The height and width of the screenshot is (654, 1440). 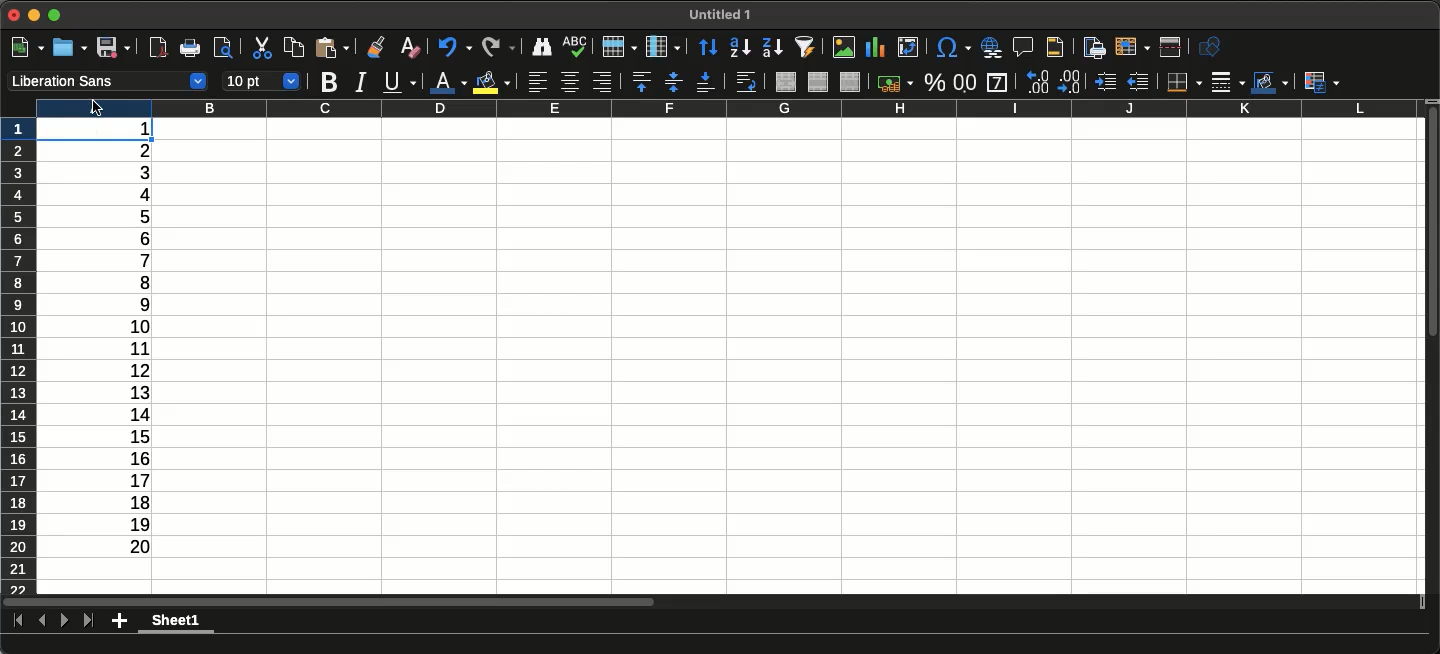 I want to click on Sort, so click(x=704, y=48).